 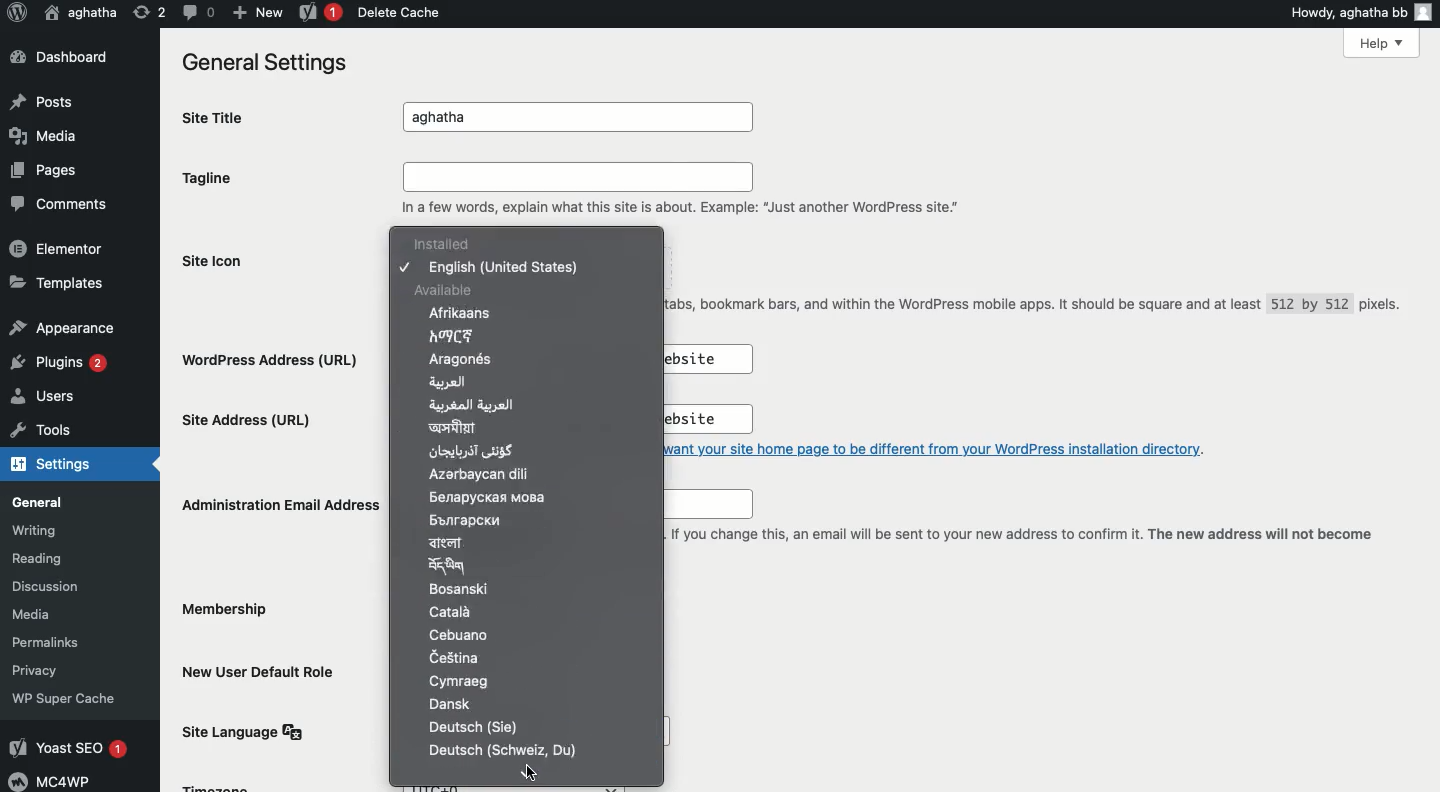 What do you see at coordinates (81, 11) in the screenshot?
I see `aghatha` at bounding box center [81, 11].